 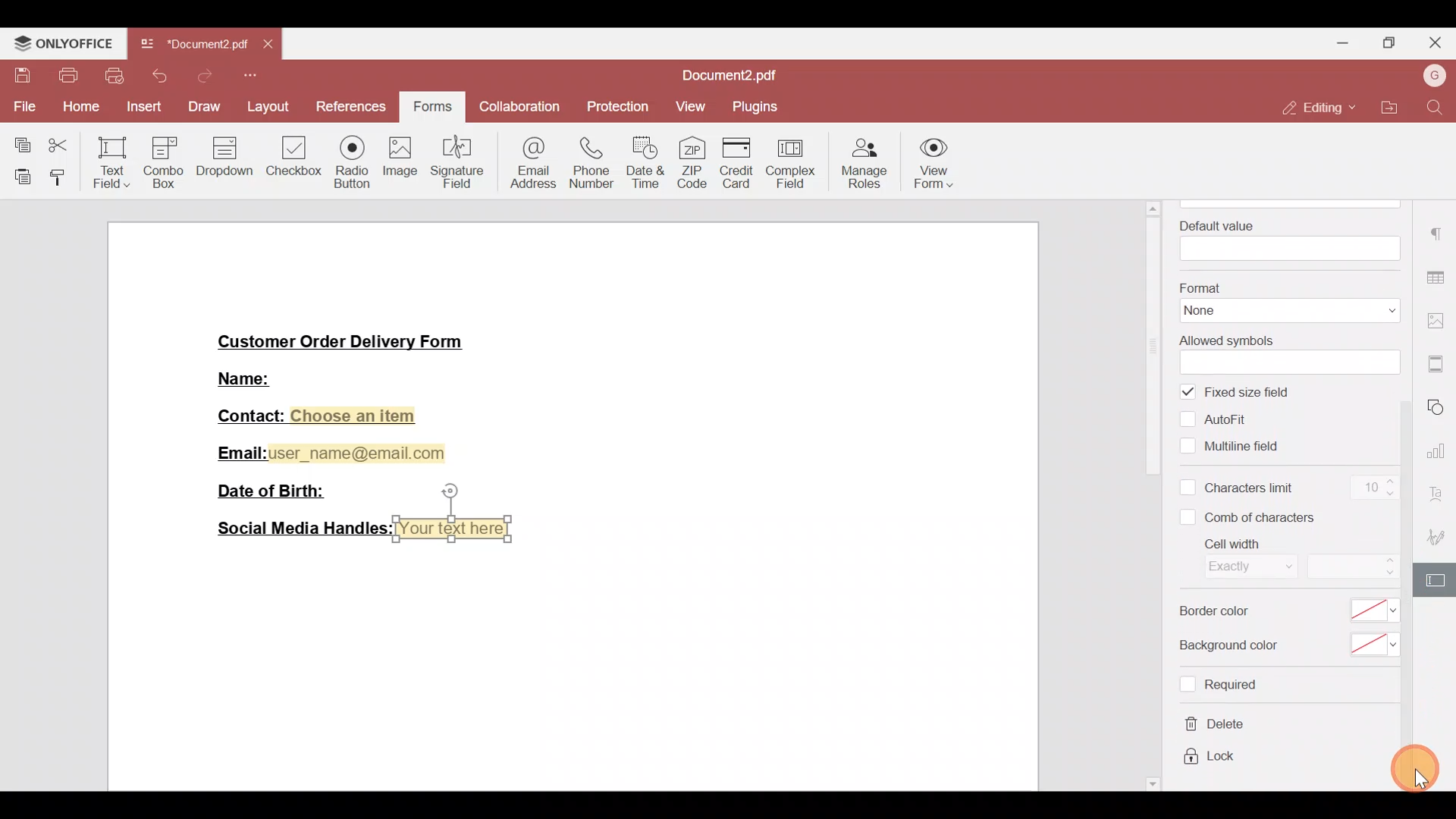 I want to click on Forms, so click(x=435, y=103).